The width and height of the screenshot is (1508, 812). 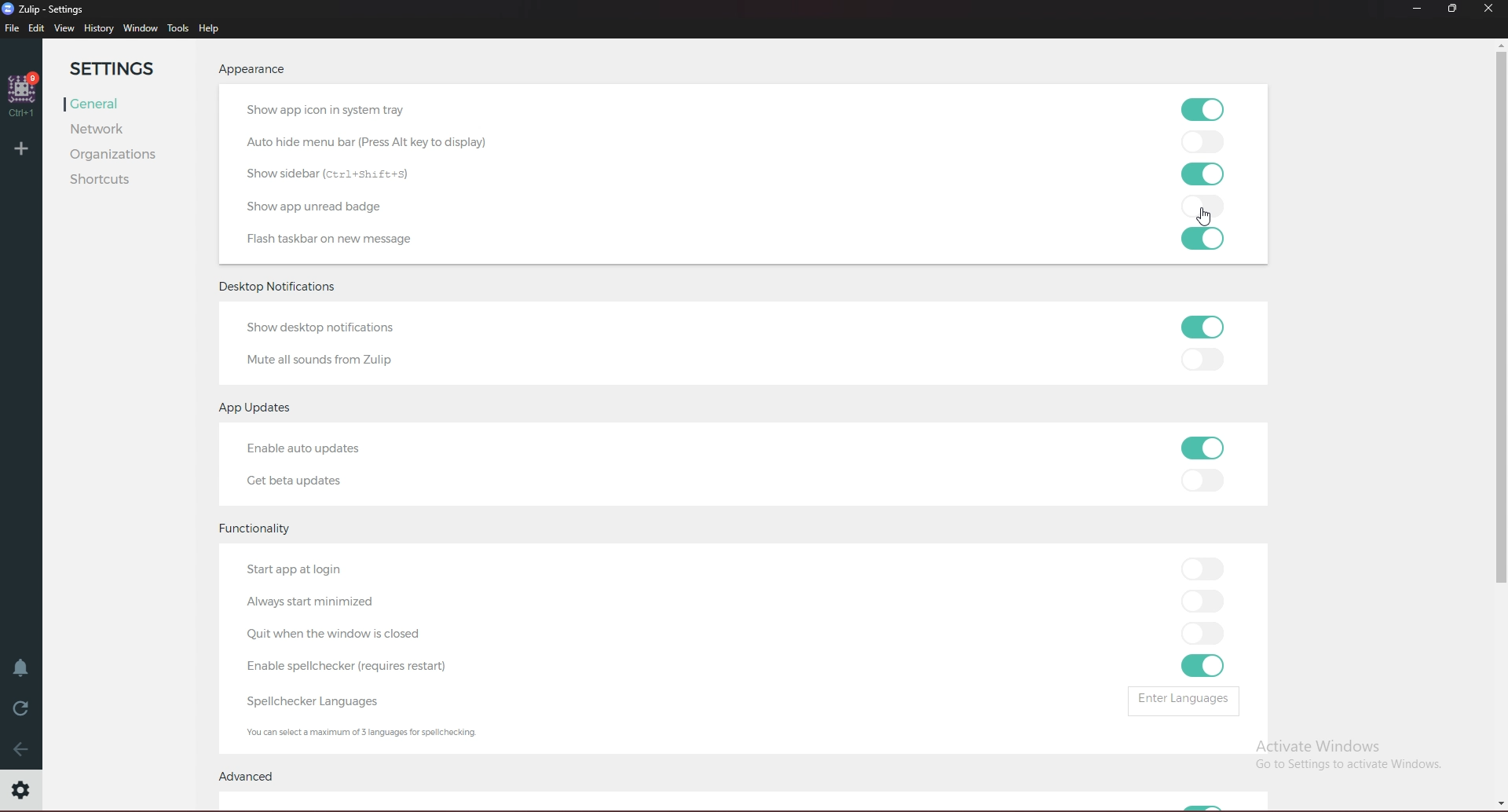 What do you see at coordinates (120, 104) in the screenshot?
I see `General` at bounding box center [120, 104].